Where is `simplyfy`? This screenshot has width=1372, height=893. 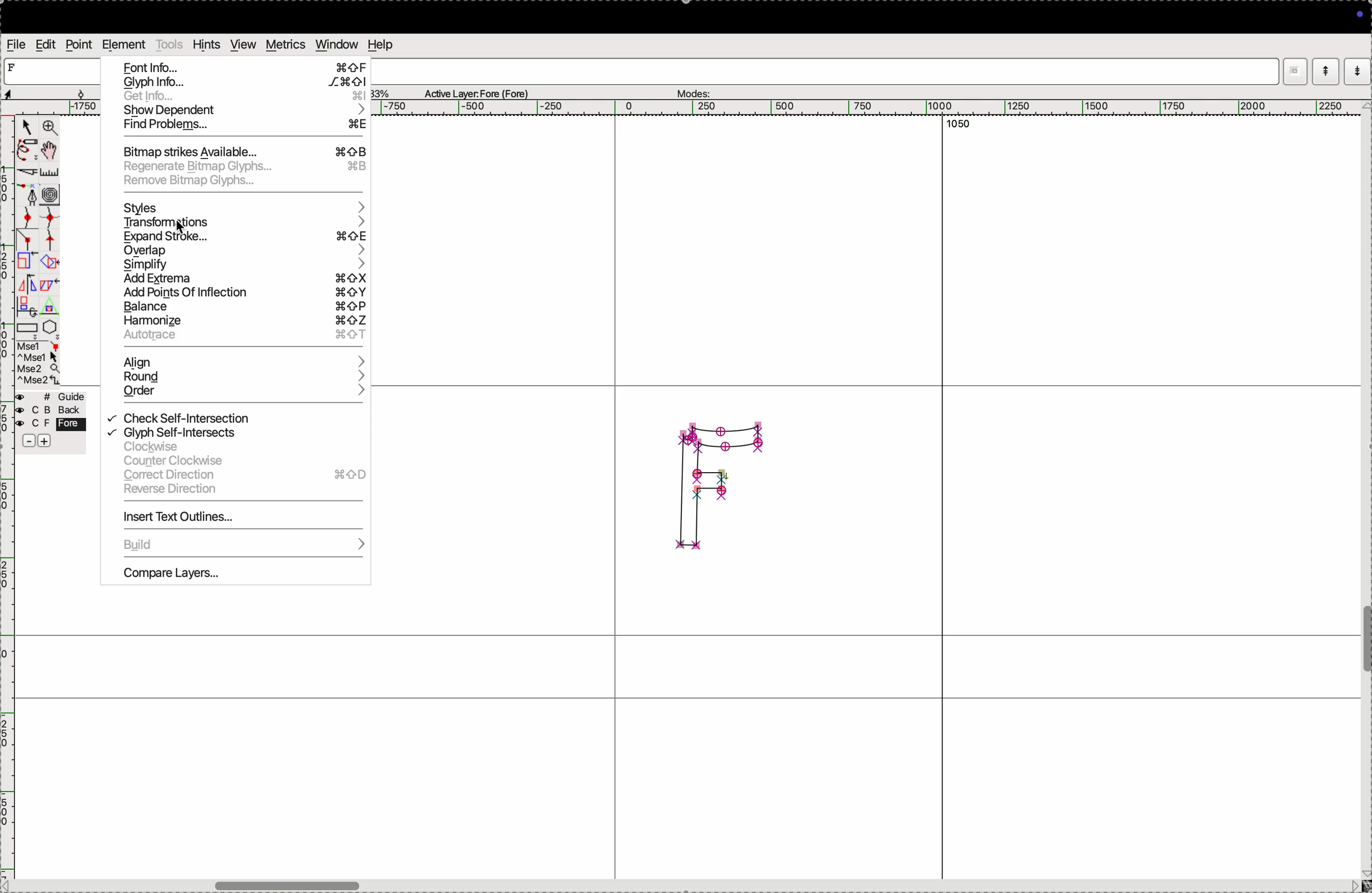 simplyfy is located at coordinates (244, 265).